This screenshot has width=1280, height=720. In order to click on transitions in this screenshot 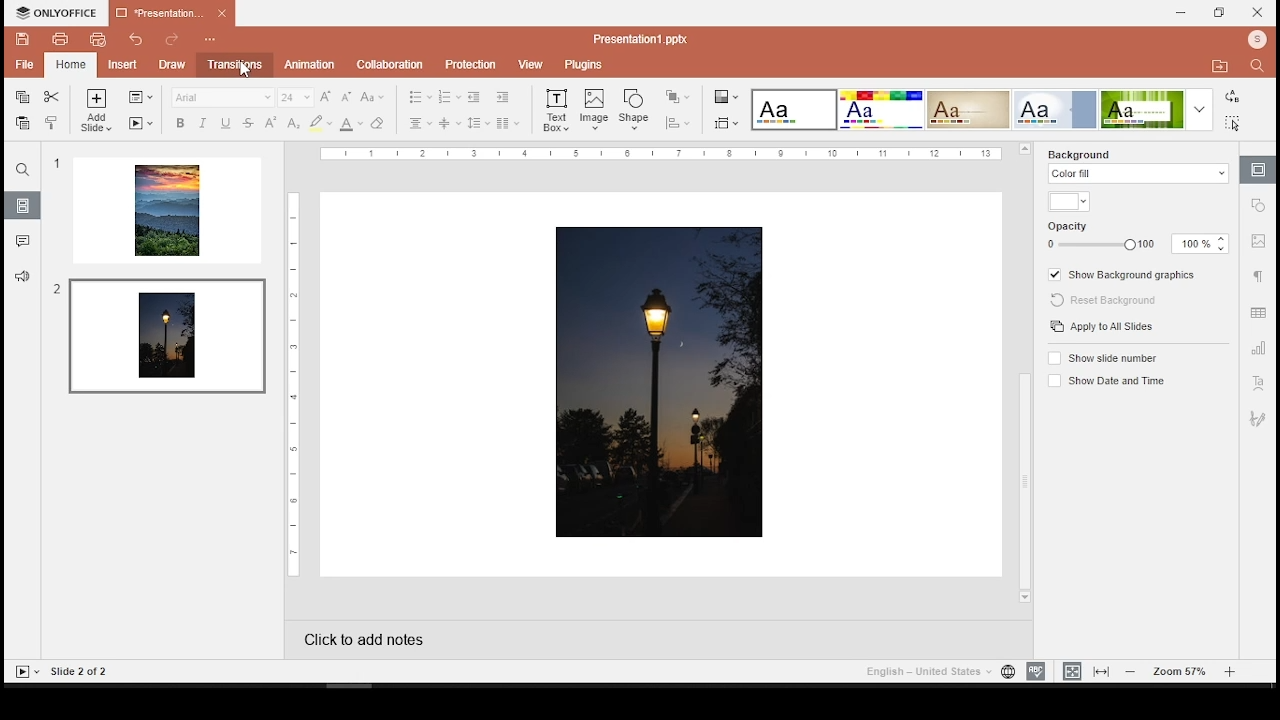, I will do `click(232, 64)`.